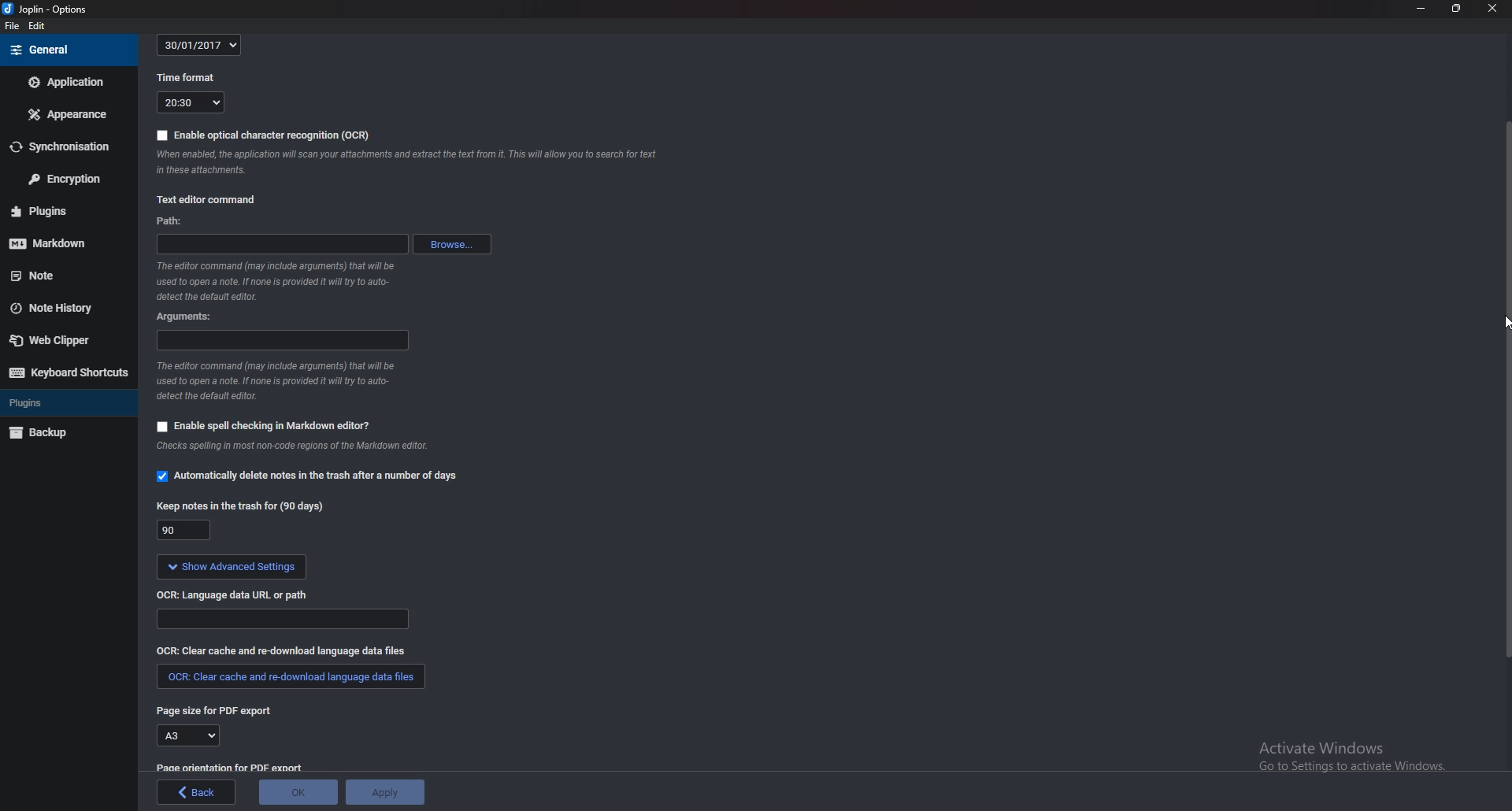 This screenshot has height=811, width=1512. I want to click on info, so click(328, 450).